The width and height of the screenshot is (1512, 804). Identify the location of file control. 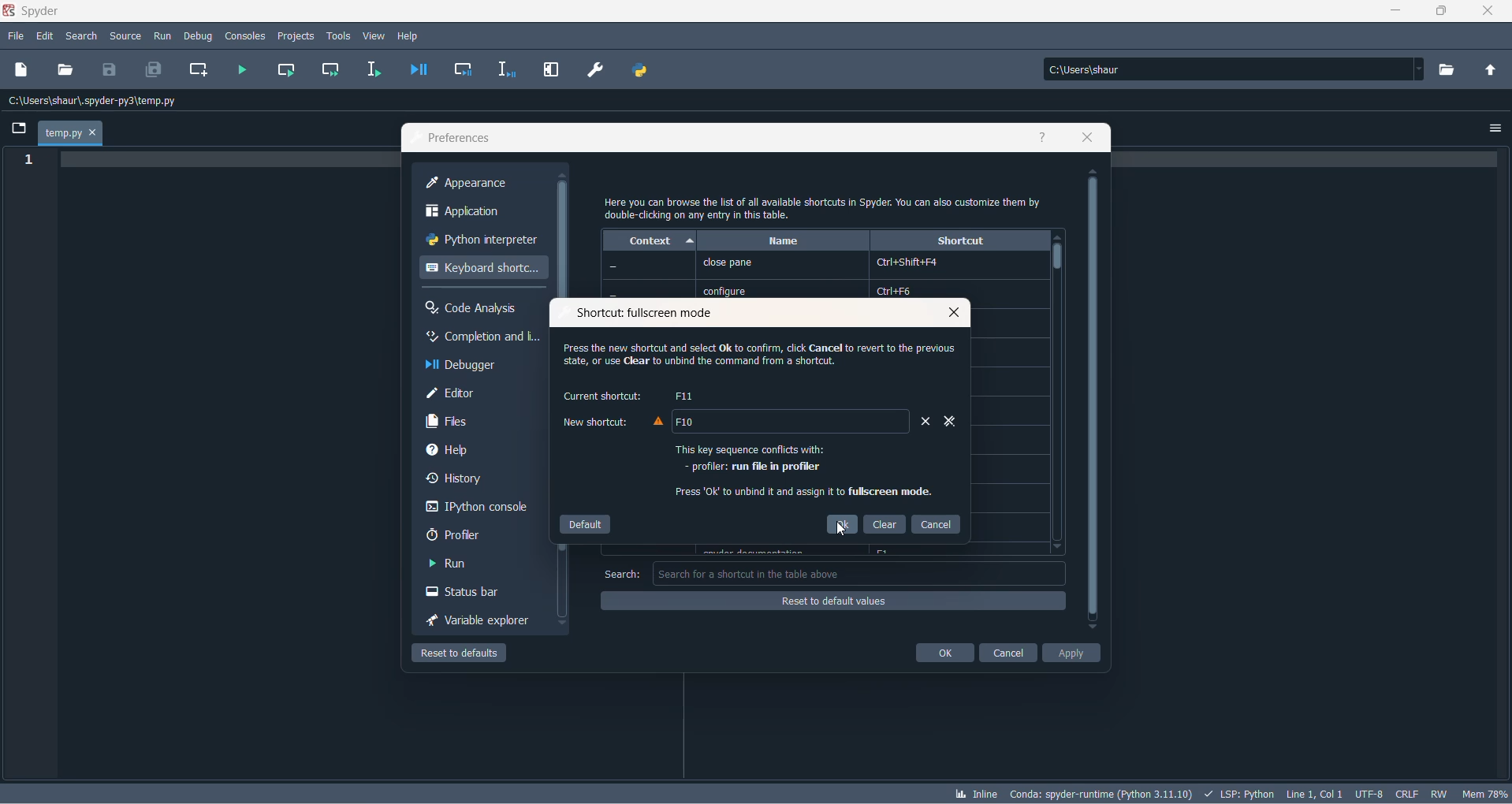
(1443, 793).